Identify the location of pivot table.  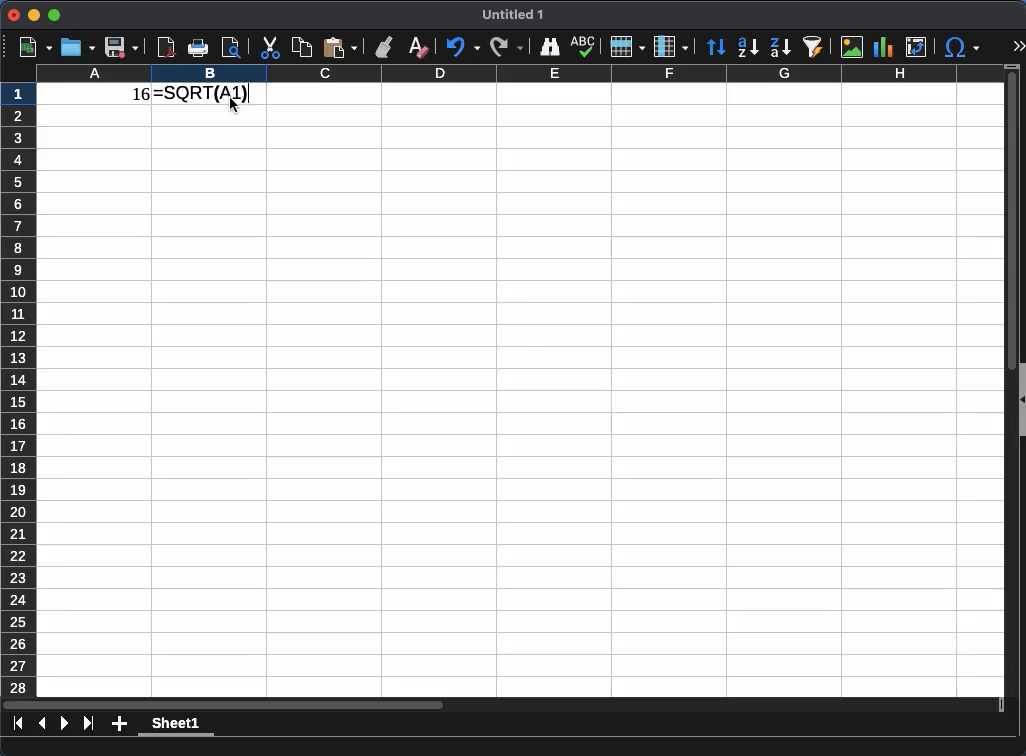
(917, 48).